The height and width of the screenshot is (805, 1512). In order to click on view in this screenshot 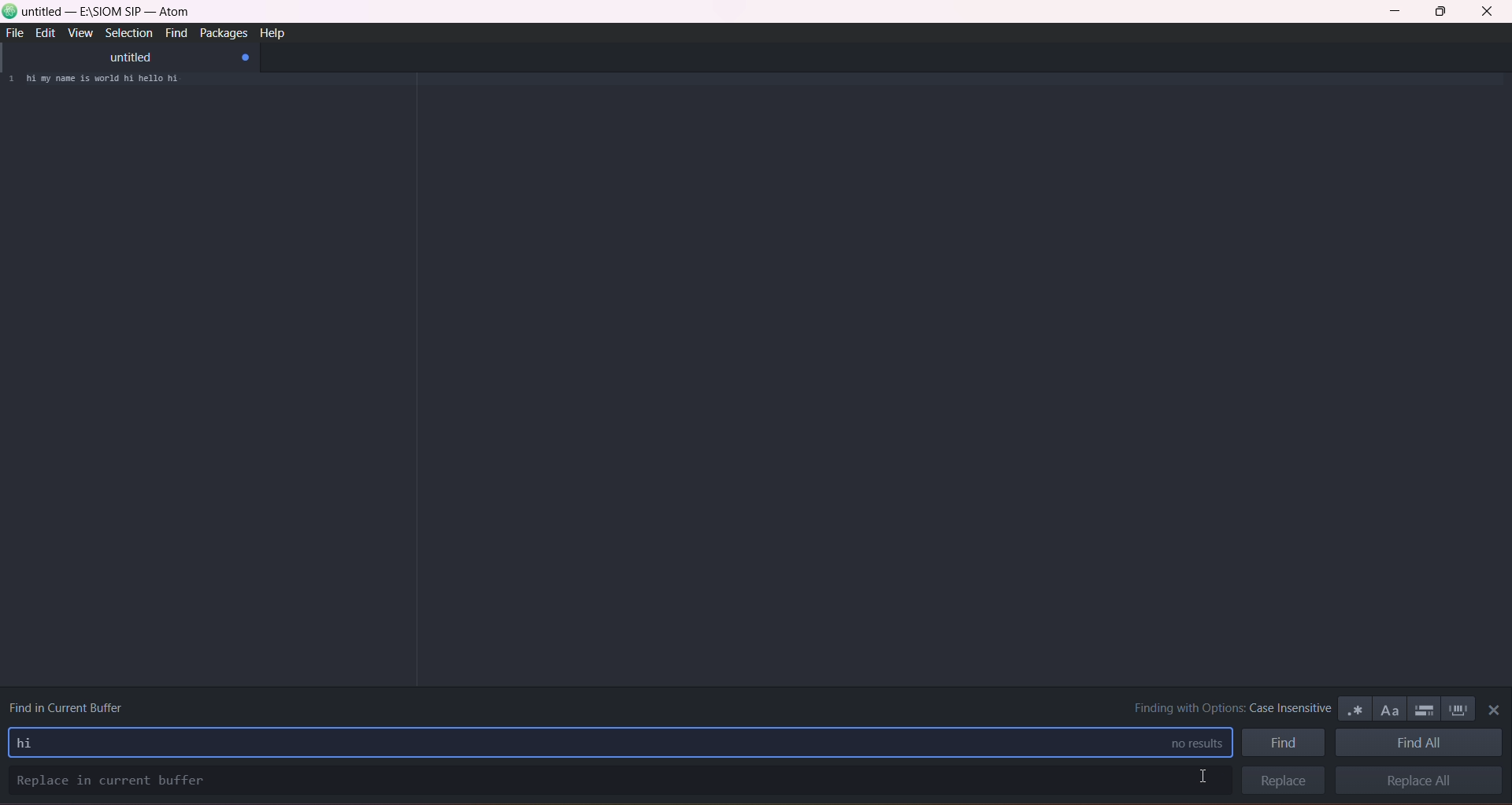, I will do `click(80, 34)`.